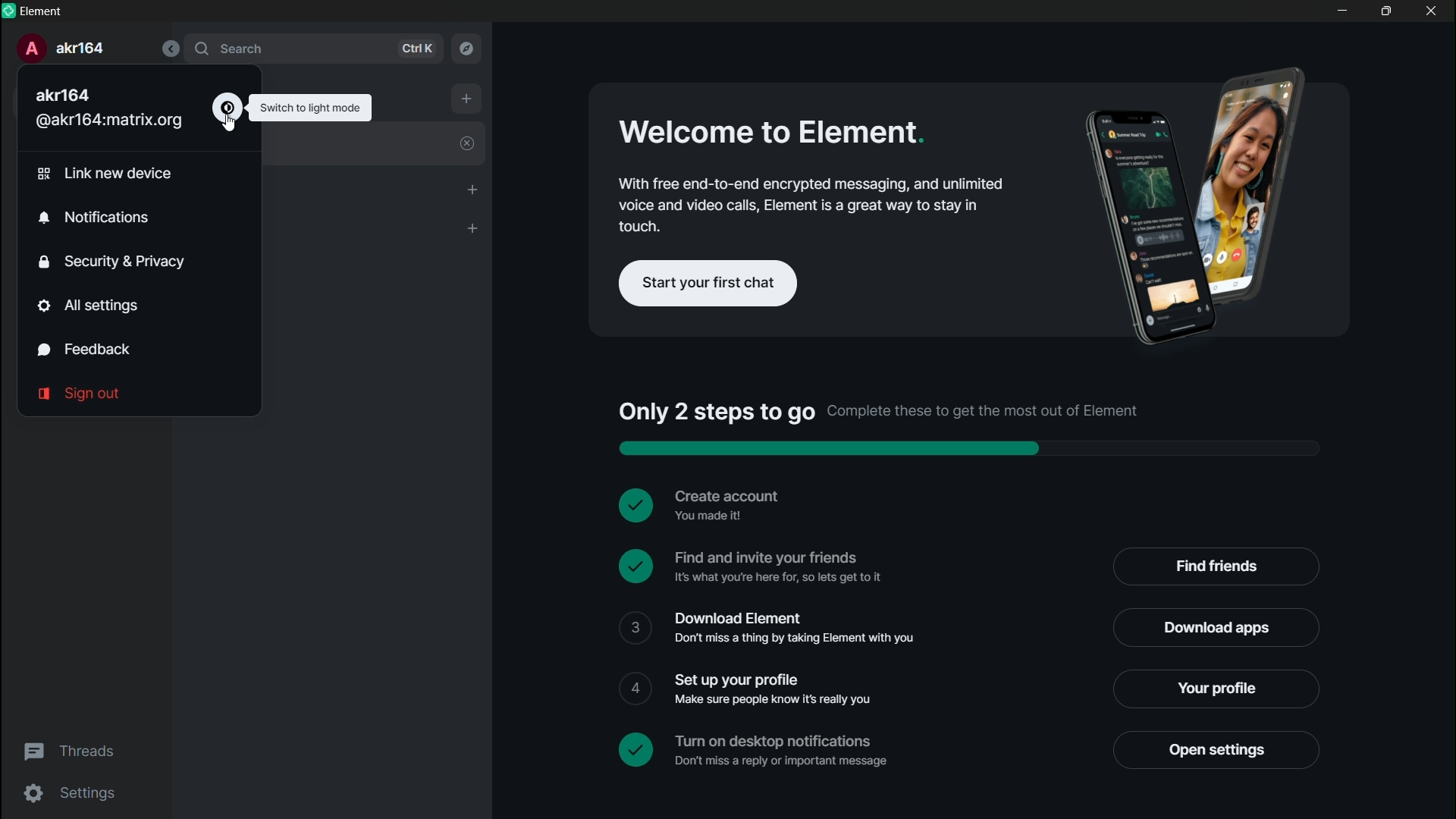 The height and width of the screenshot is (819, 1456). What do you see at coordinates (468, 99) in the screenshot?
I see `add` at bounding box center [468, 99].